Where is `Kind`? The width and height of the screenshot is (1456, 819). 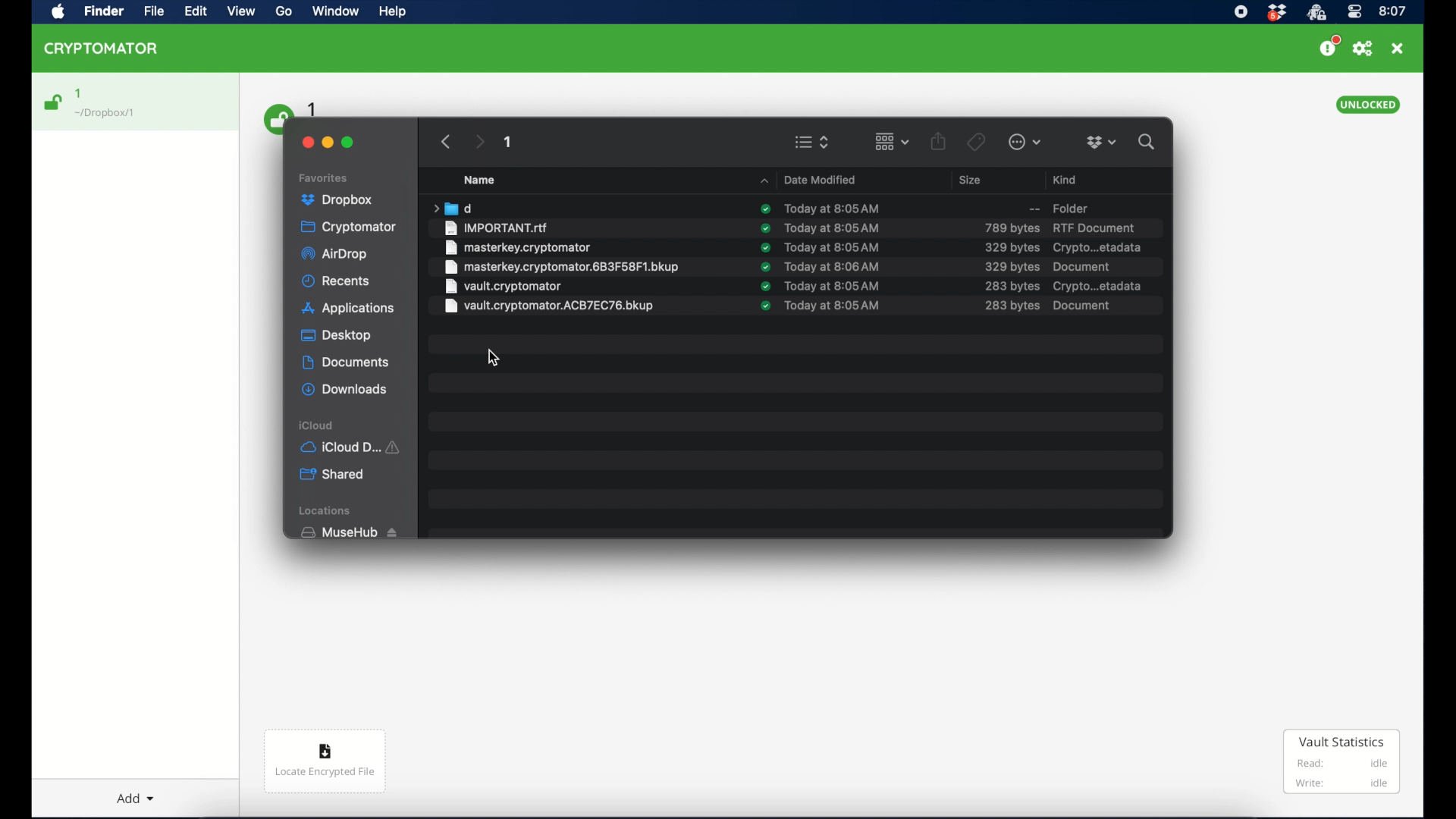
Kind is located at coordinates (1067, 177).